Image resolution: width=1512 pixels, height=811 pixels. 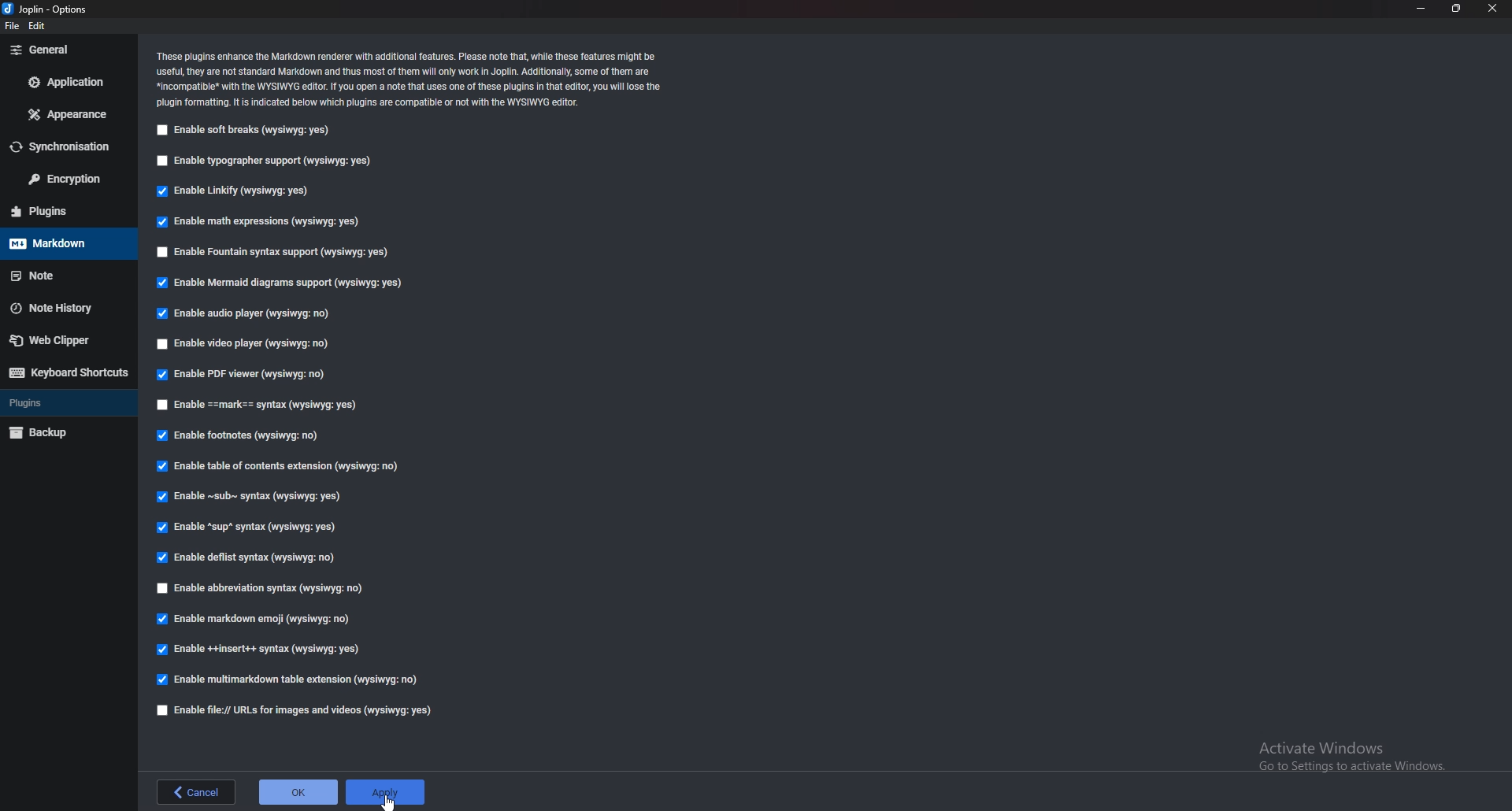 I want to click on ok, so click(x=297, y=792).